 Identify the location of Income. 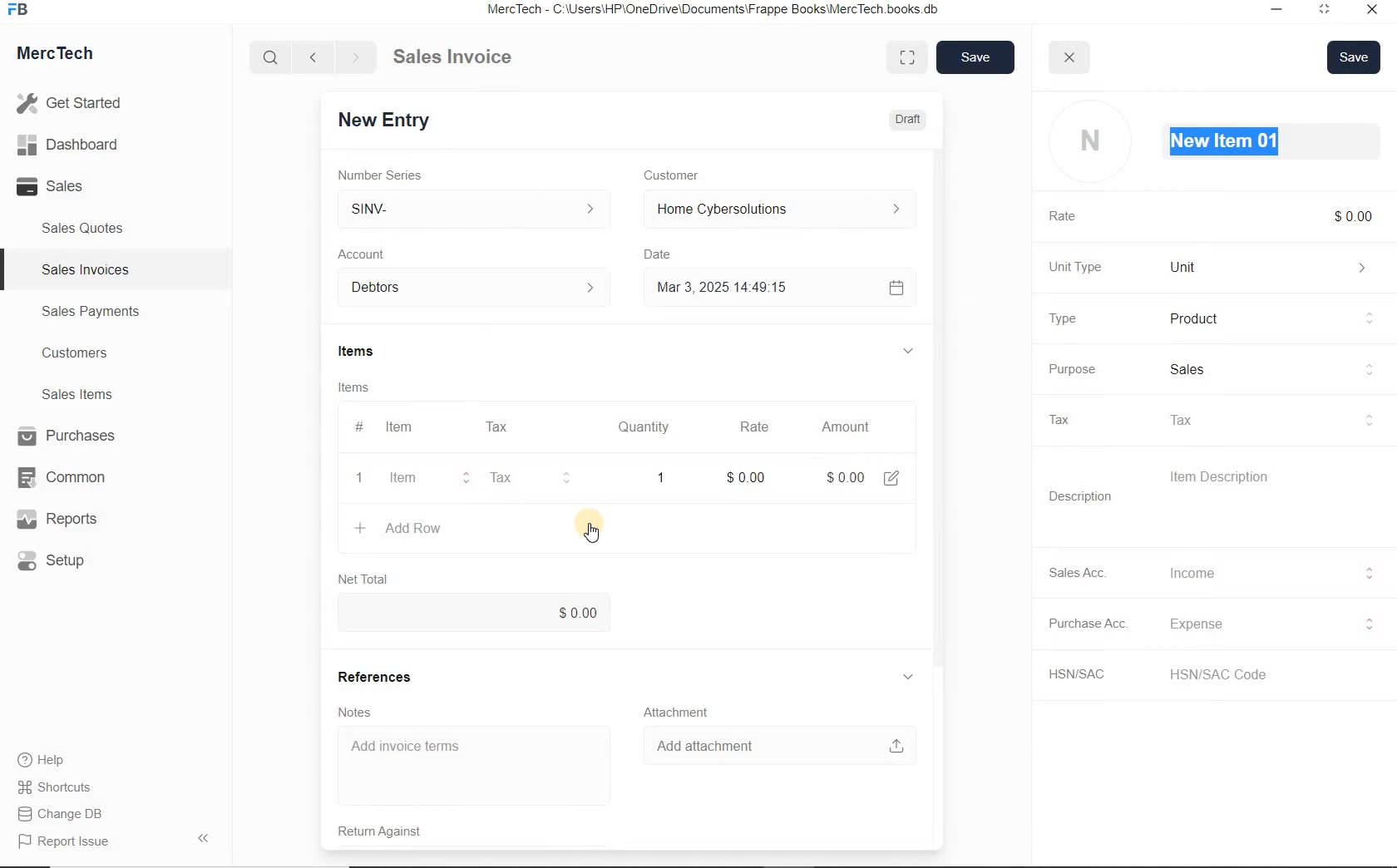
(1267, 572).